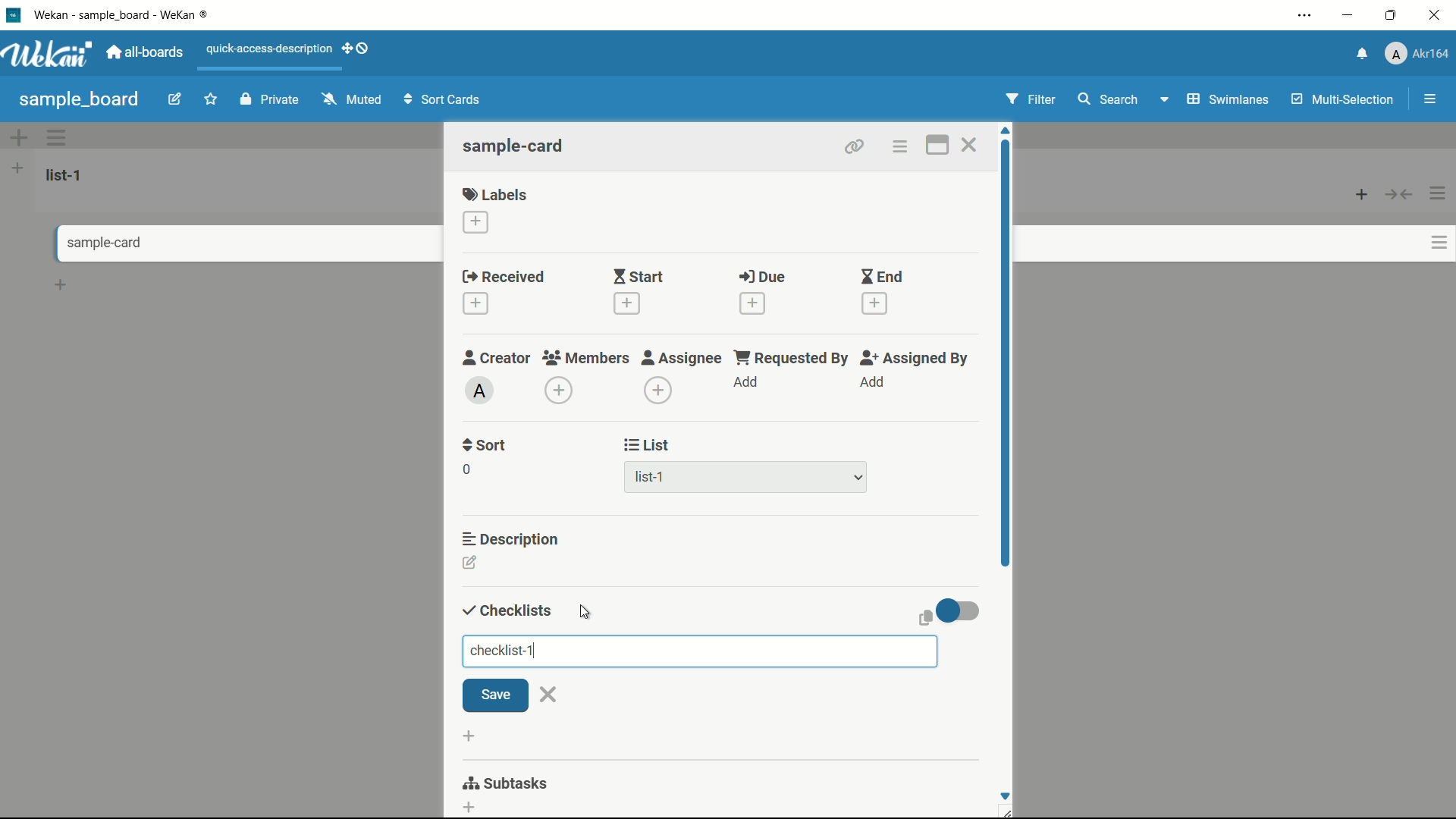 This screenshot has width=1456, height=819. What do you see at coordinates (1400, 194) in the screenshot?
I see `collapse` at bounding box center [1400, 194].